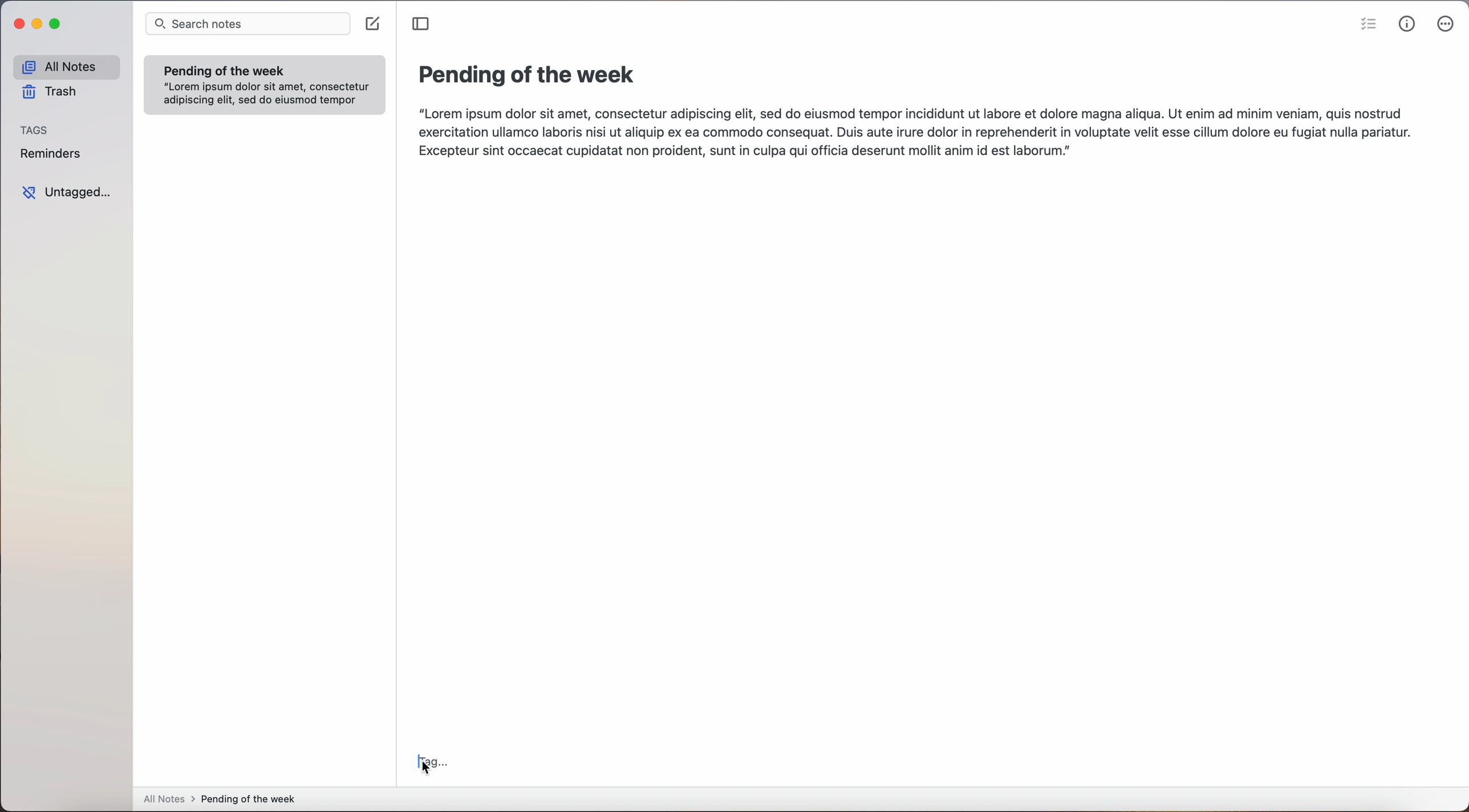 This screenshot has width=1469, height=812. I want to click on trash, so click(52, 94).